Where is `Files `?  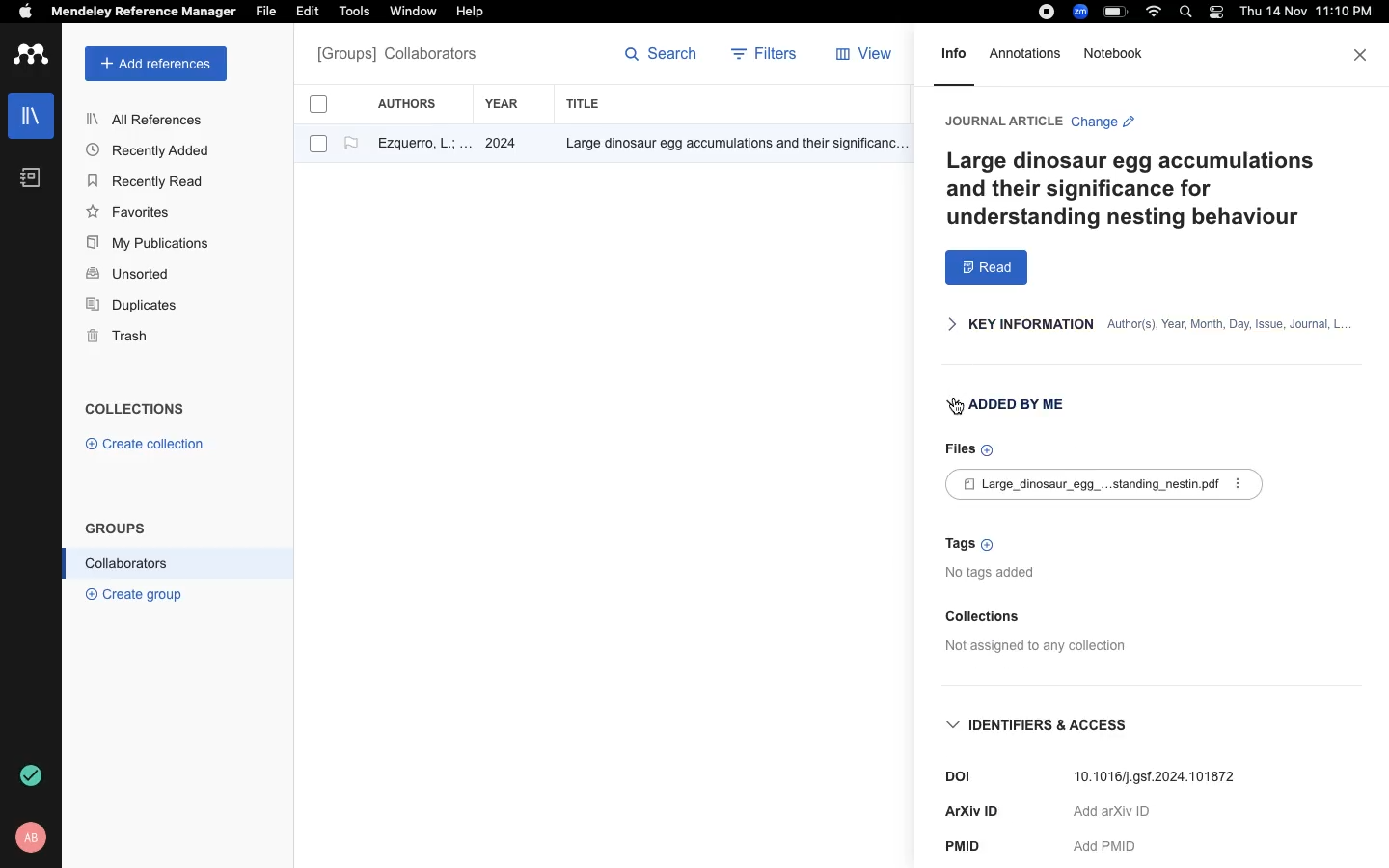 Files  is located at coordinates (962, 448).